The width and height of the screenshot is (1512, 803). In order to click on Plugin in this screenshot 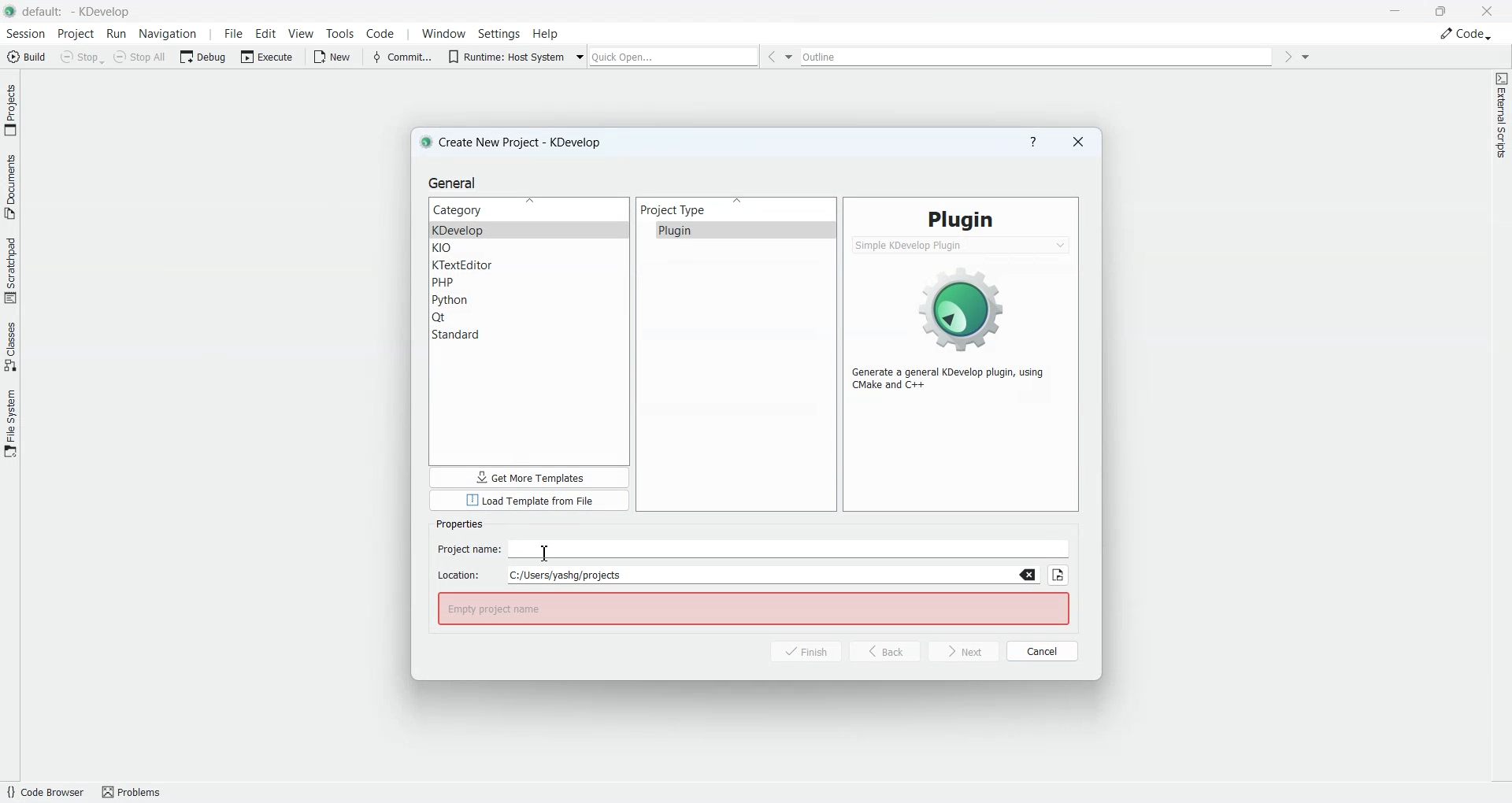, I will do `click(736, 230)`.